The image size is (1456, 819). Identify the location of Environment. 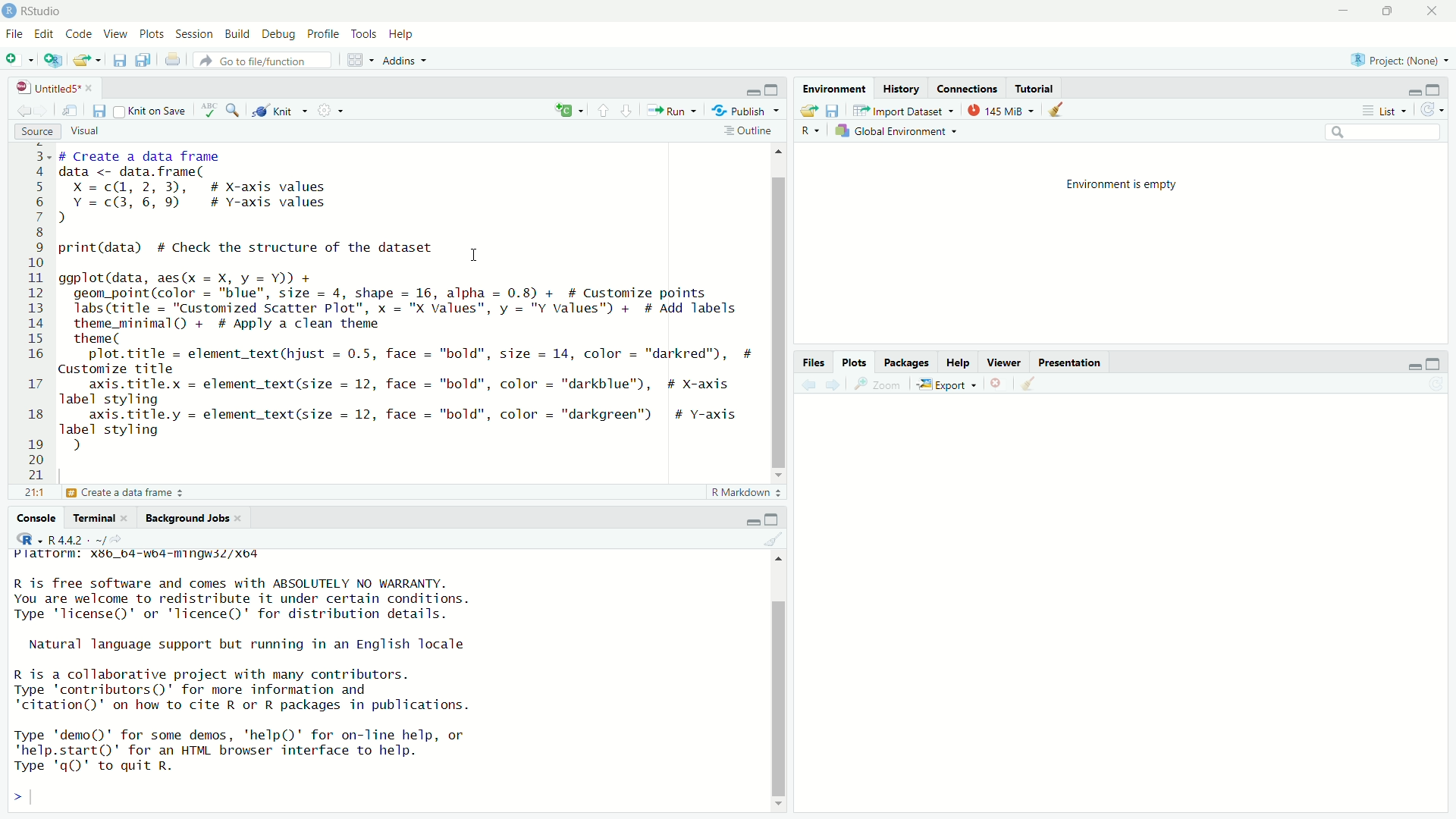
(834, 88).